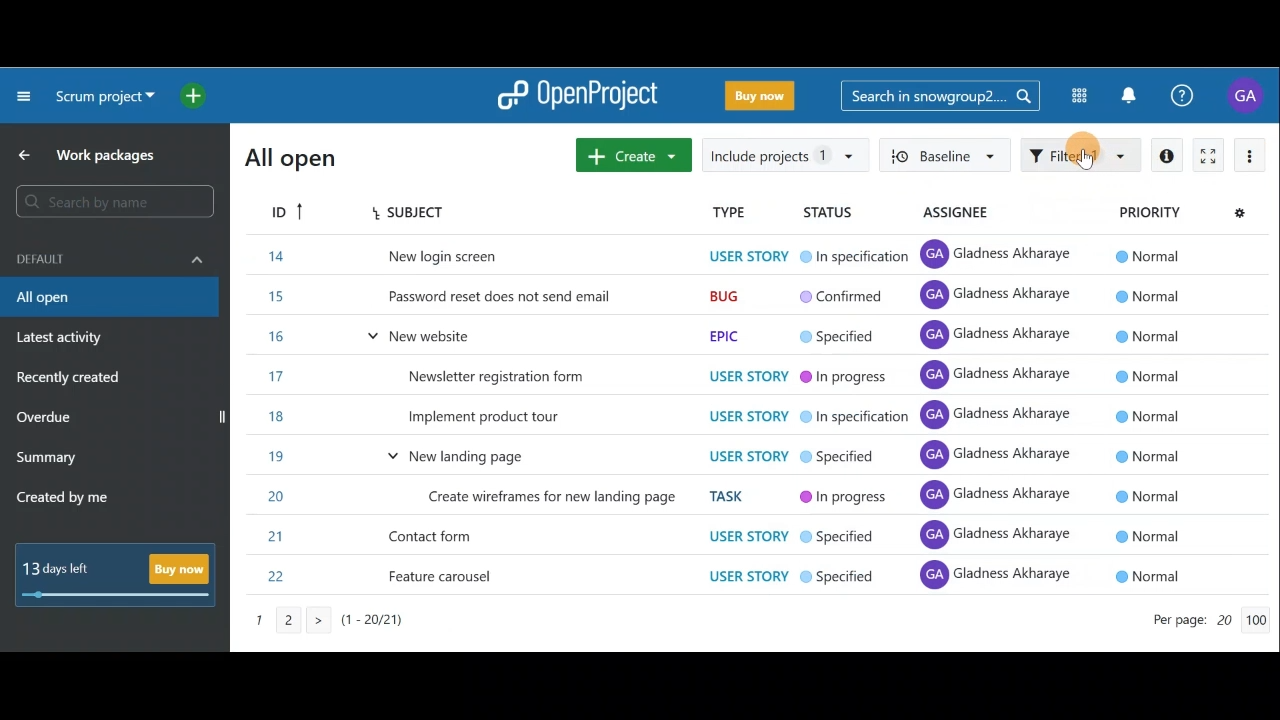 This screenshot has height=720, width=1280. Describe the element at coordinates (123, 576) in the screenshot. I see `Buy now` at that location.